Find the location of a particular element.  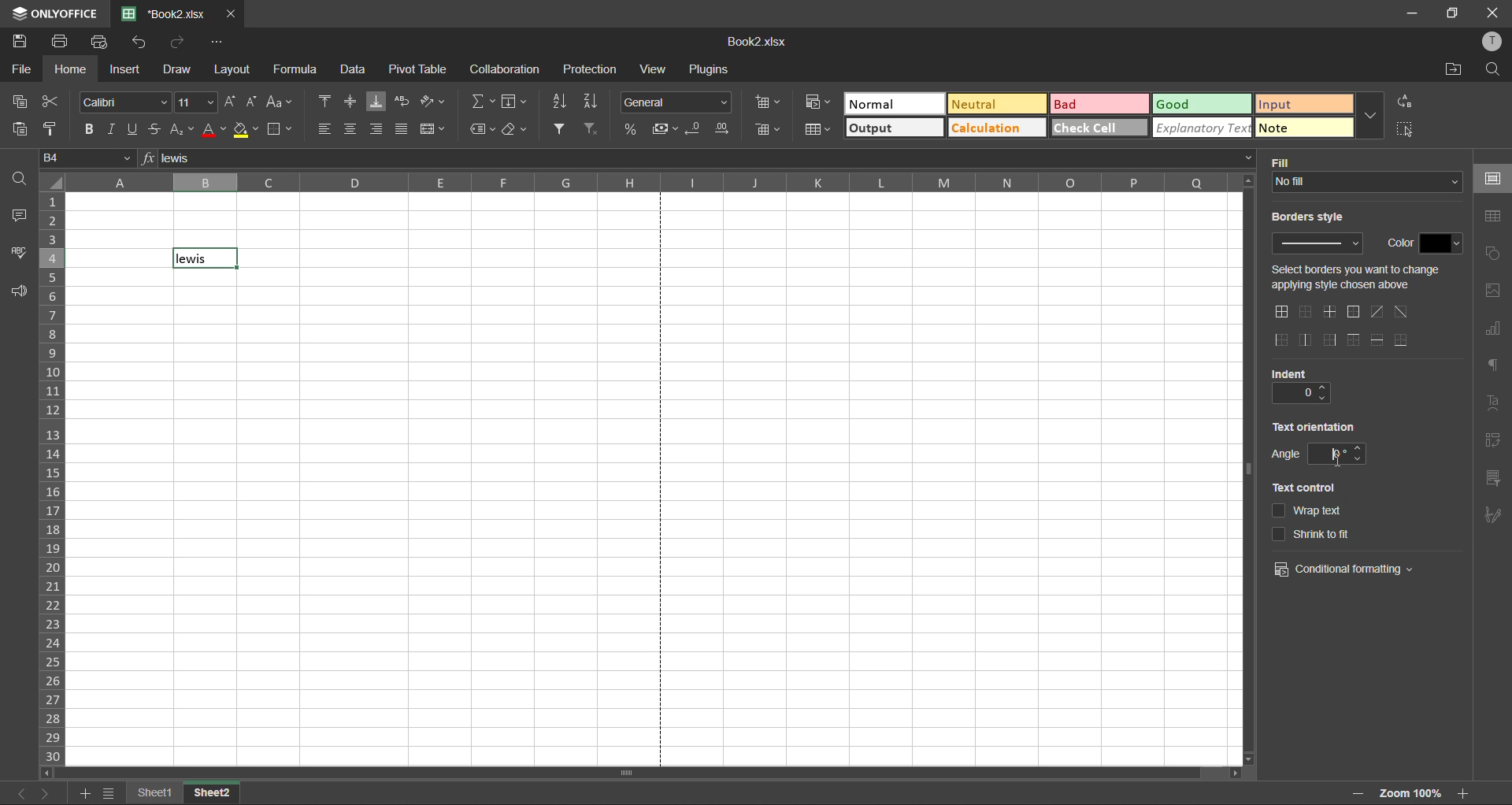

zoom in is located at coordinates (1356, 793).